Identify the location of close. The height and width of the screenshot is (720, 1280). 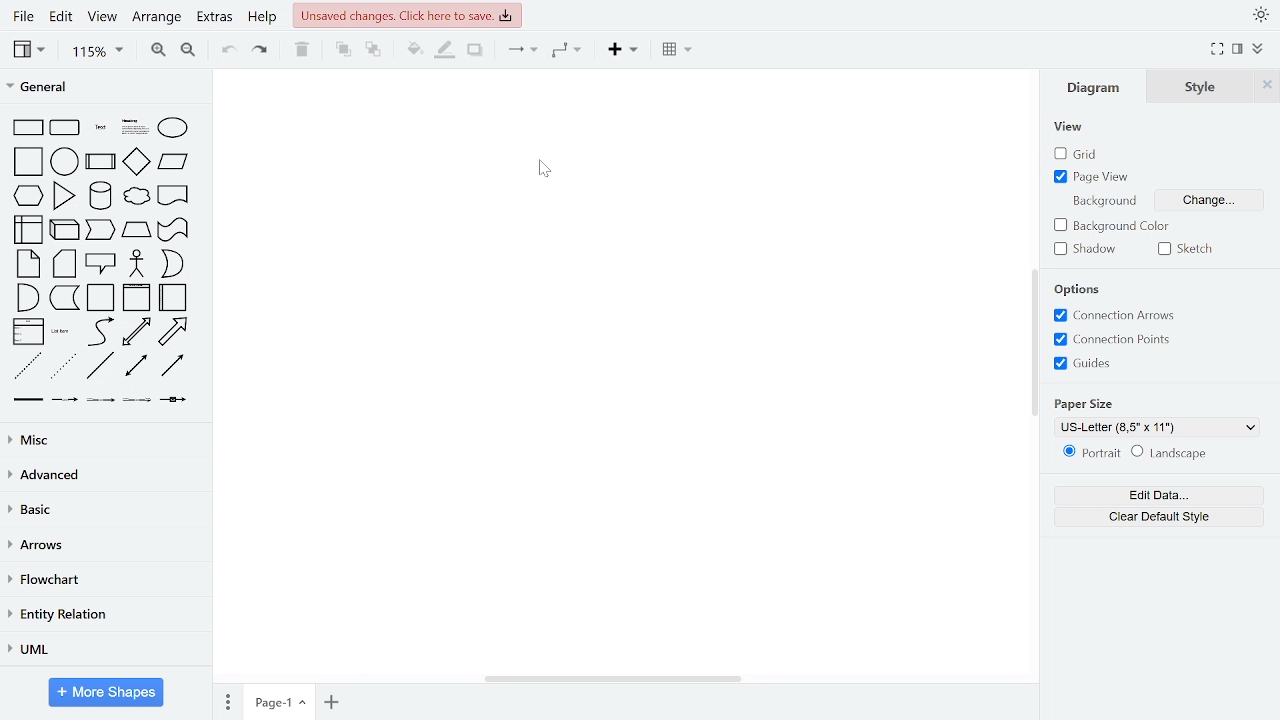
(1269, 86).